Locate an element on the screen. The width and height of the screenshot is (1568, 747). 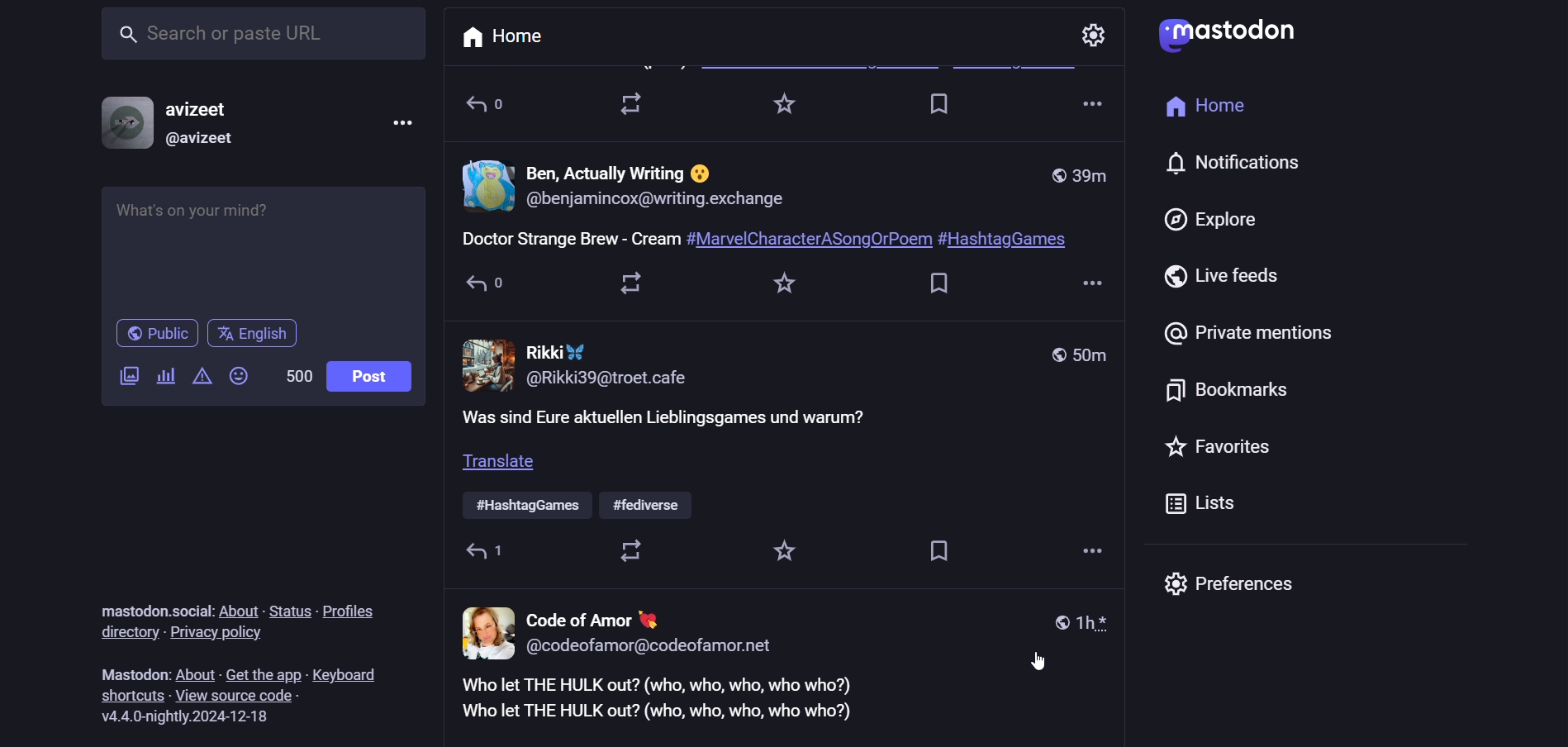
image is located at coordinates (486, 631).